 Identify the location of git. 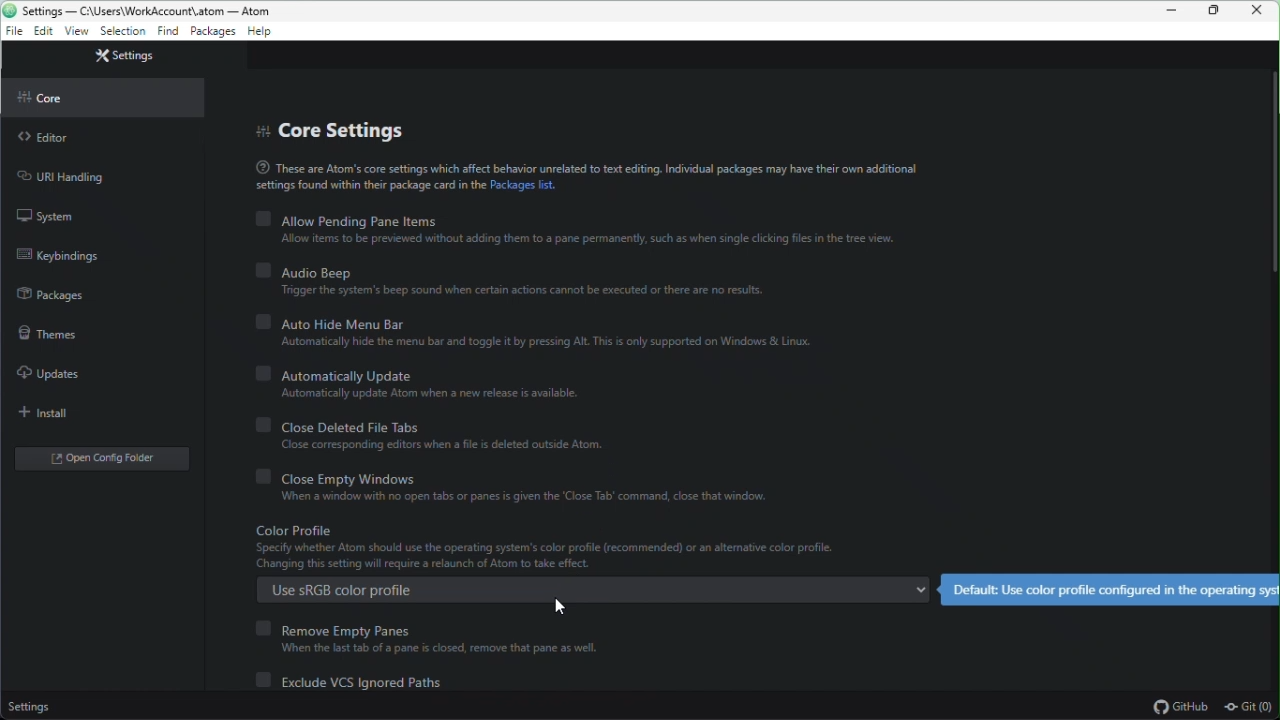
(1252, 708).